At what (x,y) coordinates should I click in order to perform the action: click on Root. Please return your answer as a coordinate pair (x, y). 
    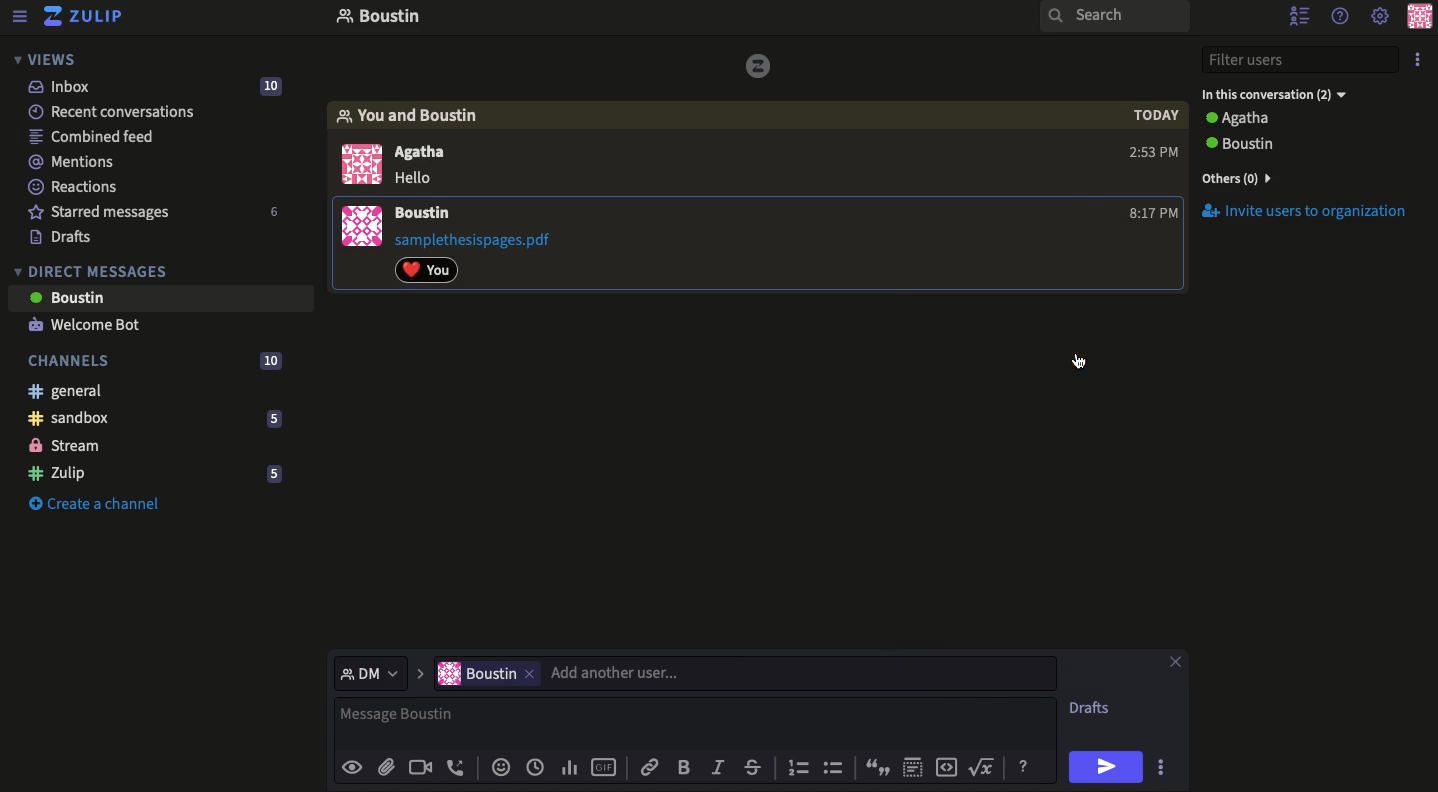
    Looking at the image, I should click on (983, 767).